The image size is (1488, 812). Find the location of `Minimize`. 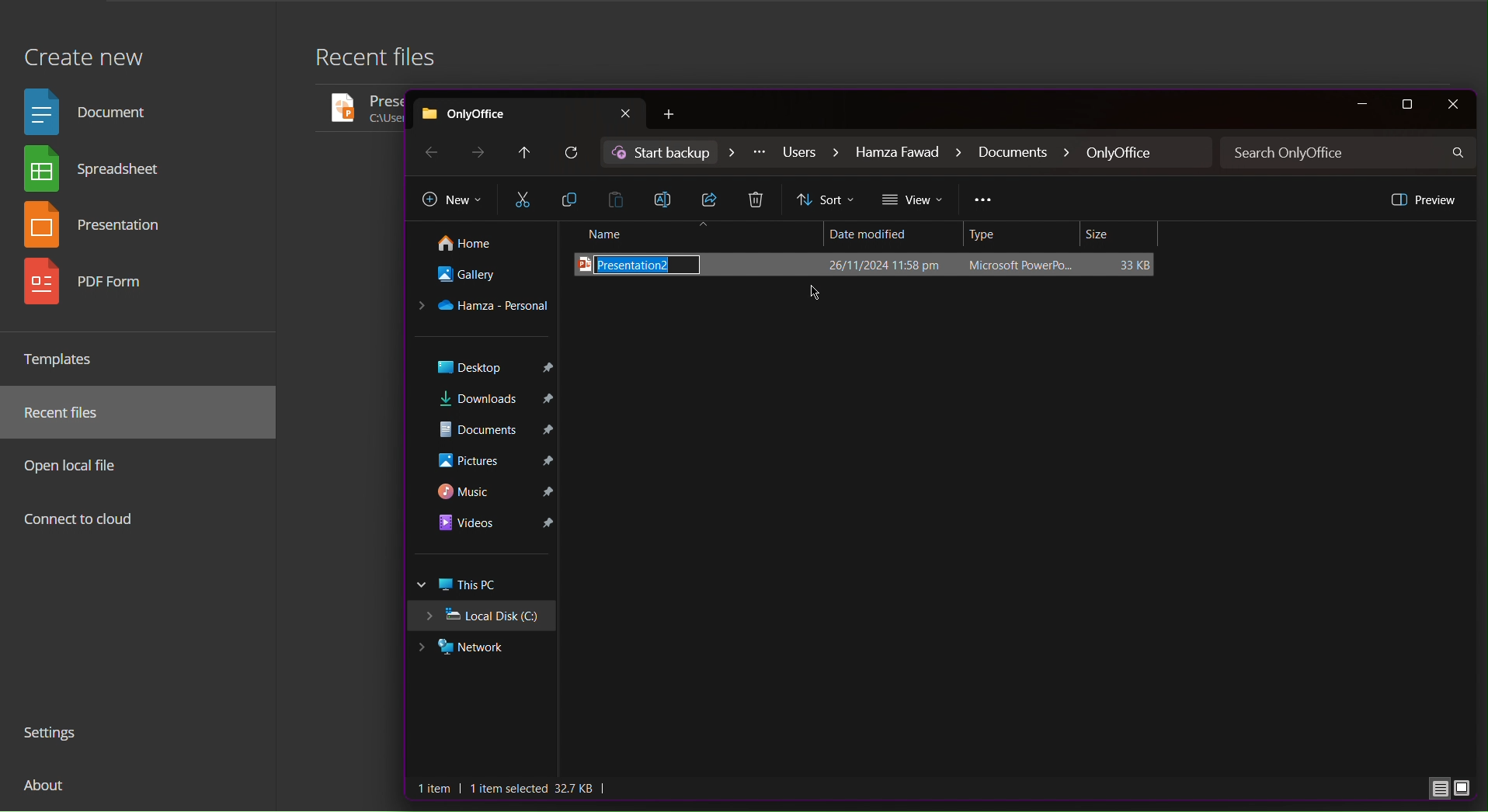

Minimize is located at coordinates (1361, 105).